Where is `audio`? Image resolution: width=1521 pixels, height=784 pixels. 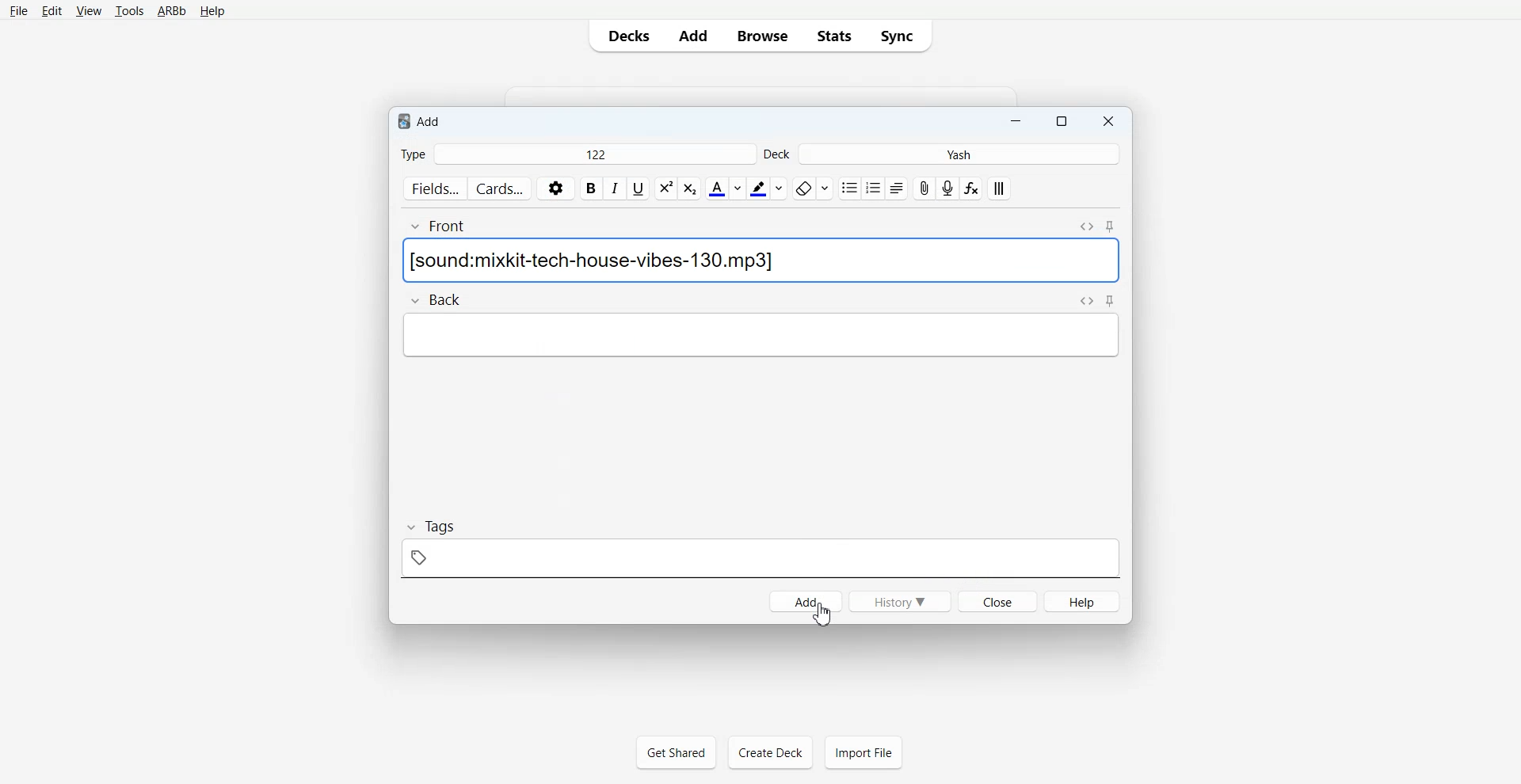
audio is located at coordinates (947, 188).